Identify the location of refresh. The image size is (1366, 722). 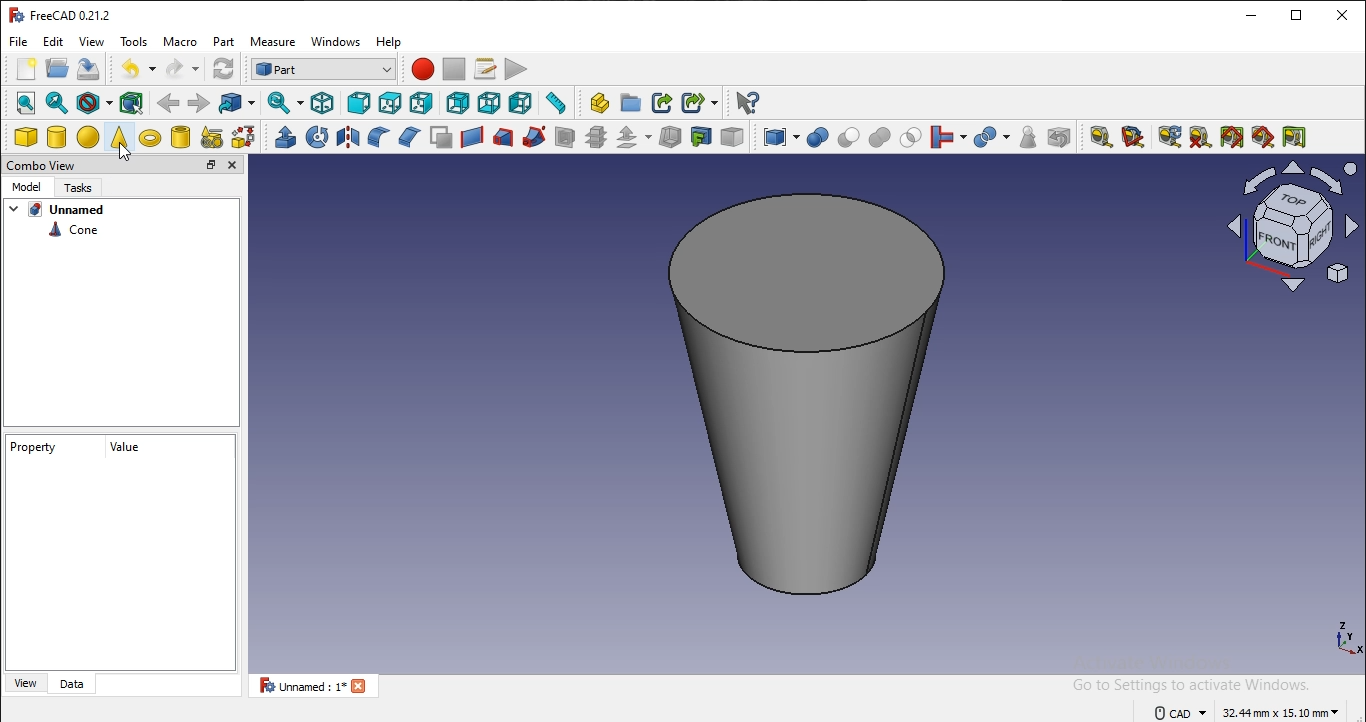
(1169, 136).